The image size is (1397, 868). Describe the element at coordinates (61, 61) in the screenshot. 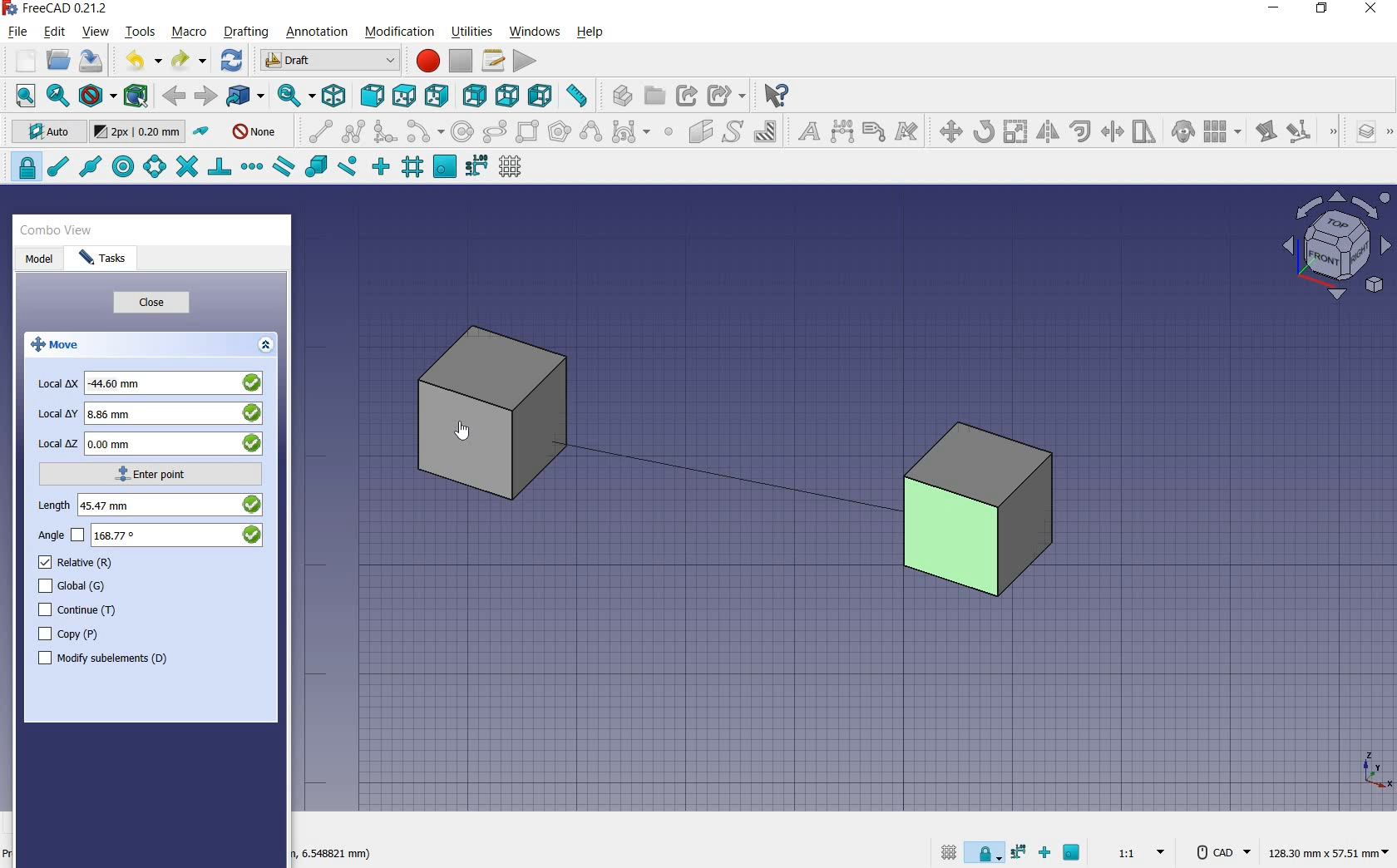

I see `open` at that location.